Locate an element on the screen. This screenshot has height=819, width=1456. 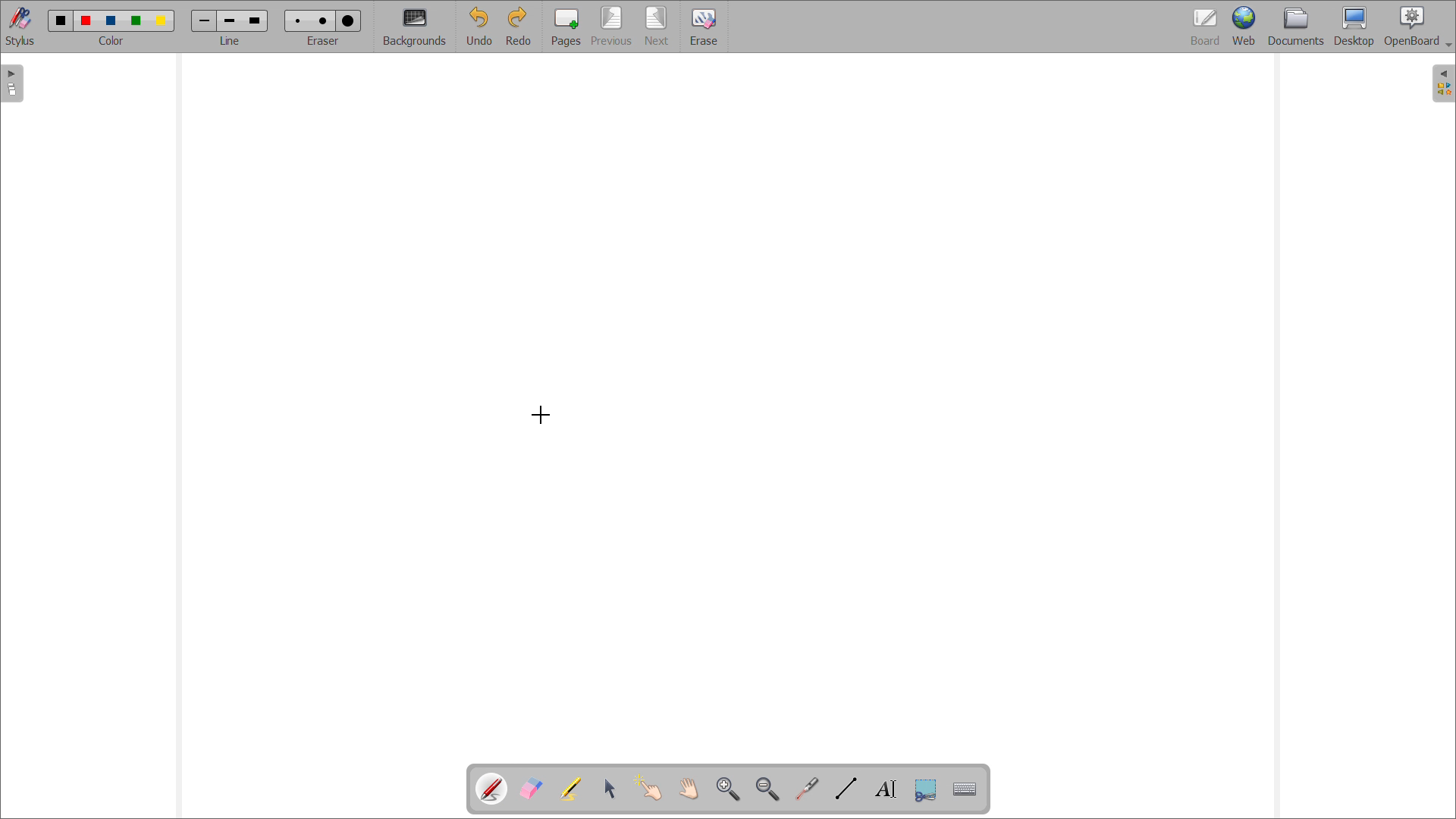
previous page is located at coordinates (612, 26).